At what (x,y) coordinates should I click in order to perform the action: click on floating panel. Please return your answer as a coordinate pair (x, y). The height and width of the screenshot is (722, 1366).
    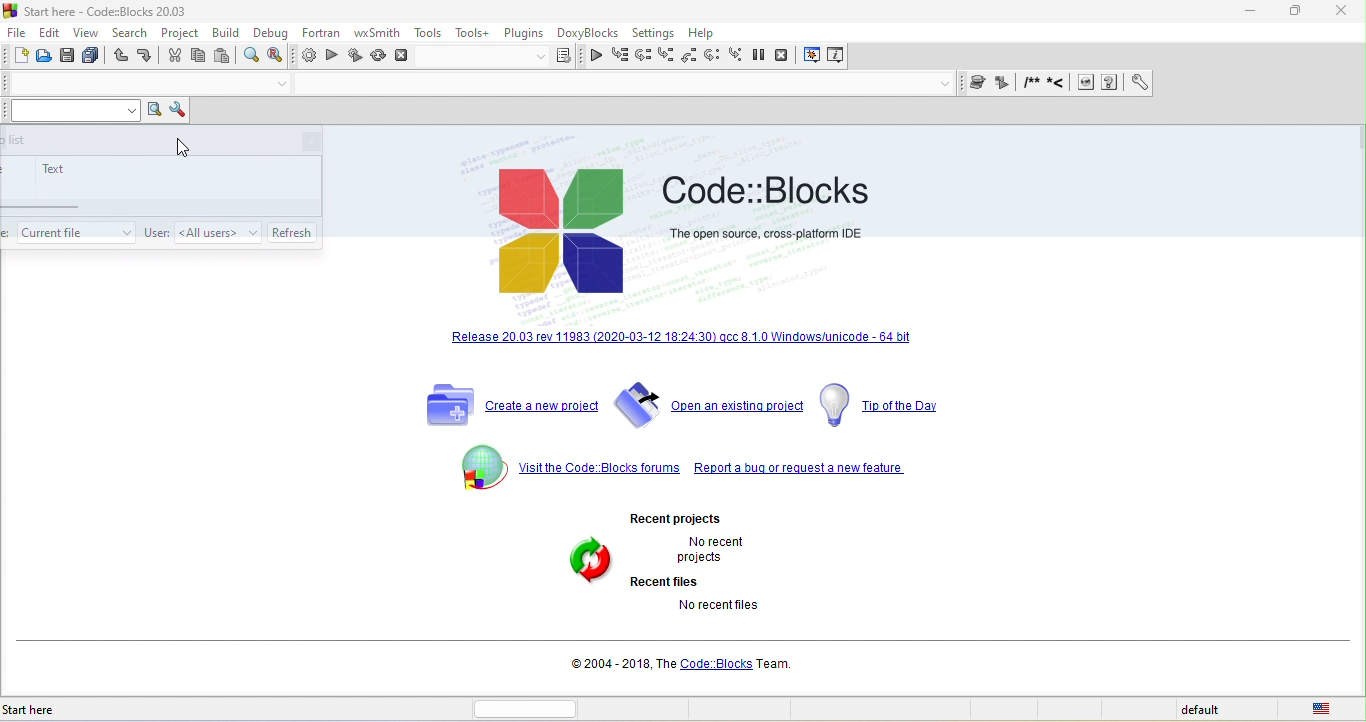
    Looking at the image, I should click on (161, 184).